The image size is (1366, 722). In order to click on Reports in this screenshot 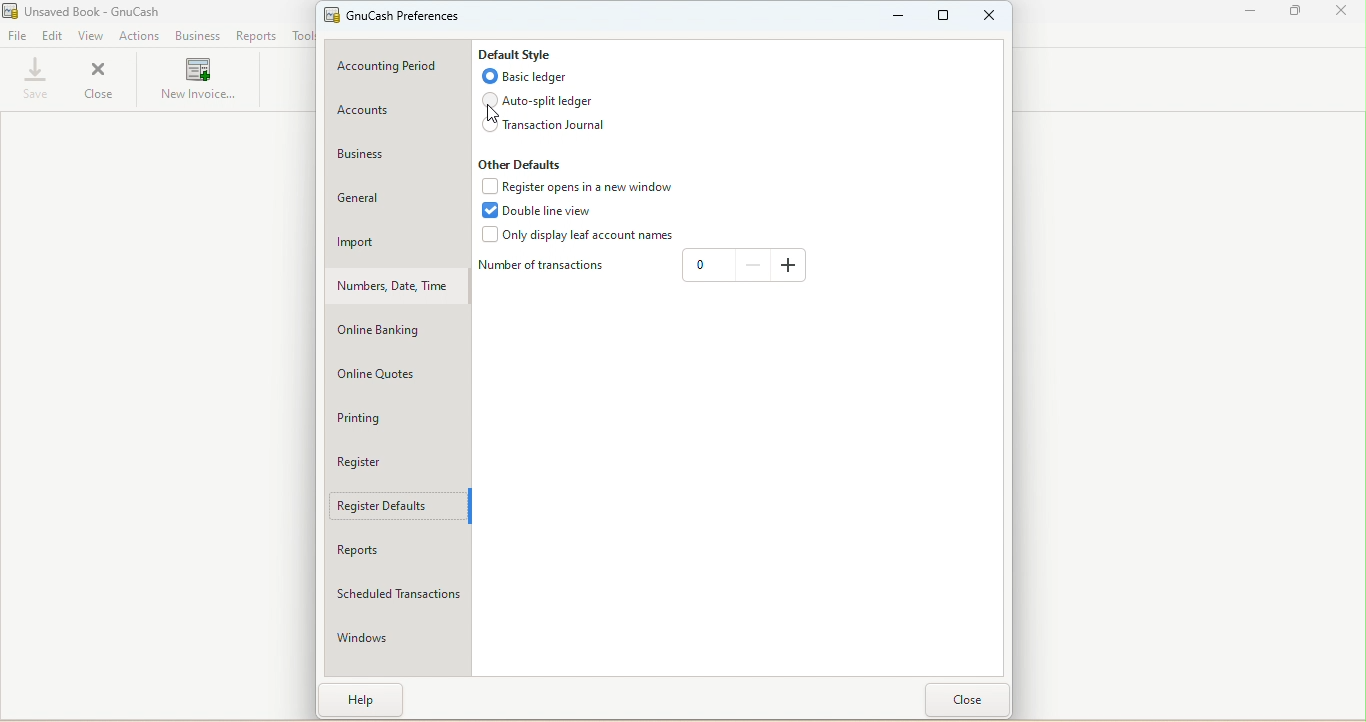, I will do `click(399, 551)`.